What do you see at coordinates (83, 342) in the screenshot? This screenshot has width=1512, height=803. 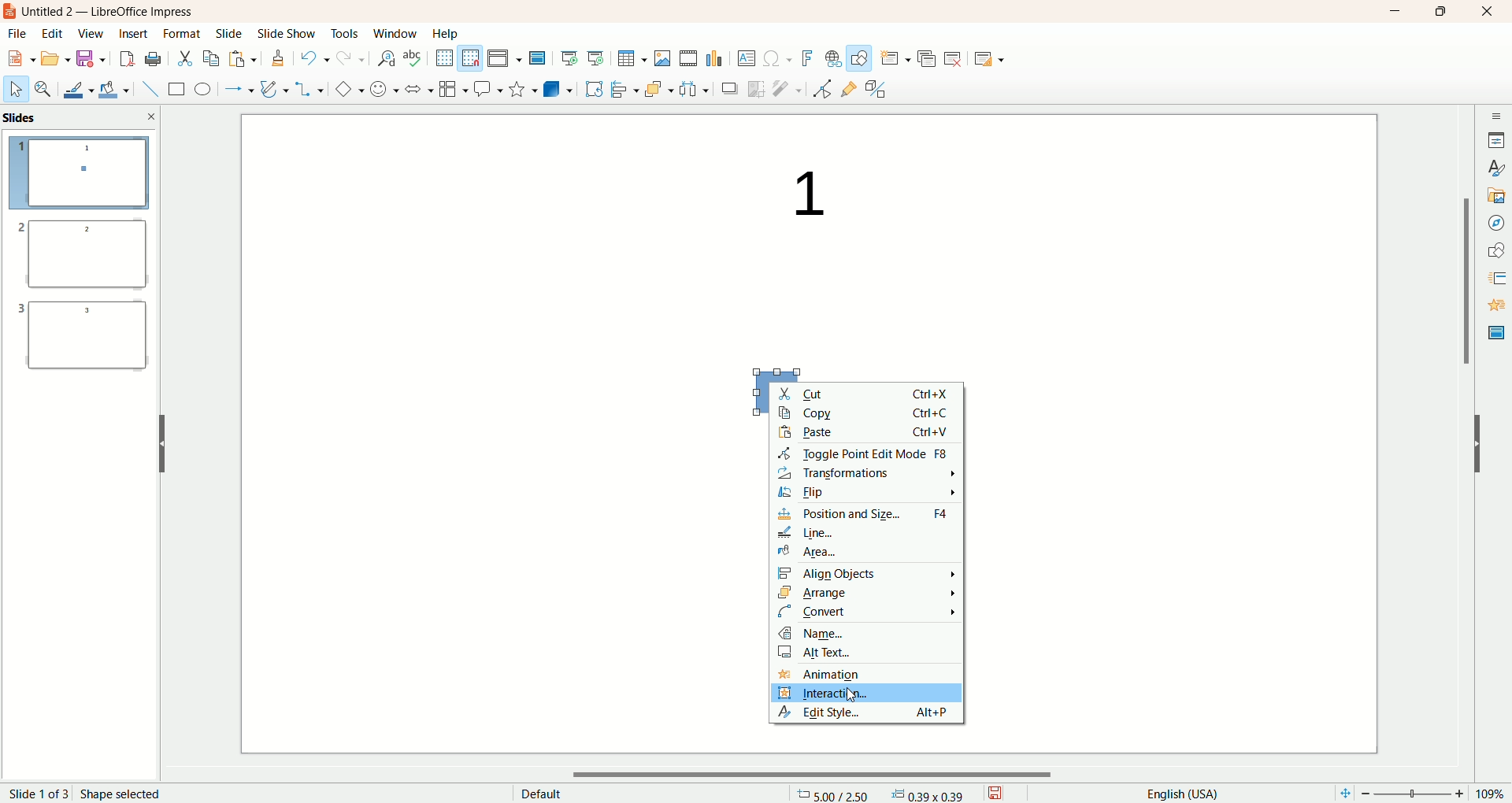 I see `slide 3` at bounding box center [83, 342].